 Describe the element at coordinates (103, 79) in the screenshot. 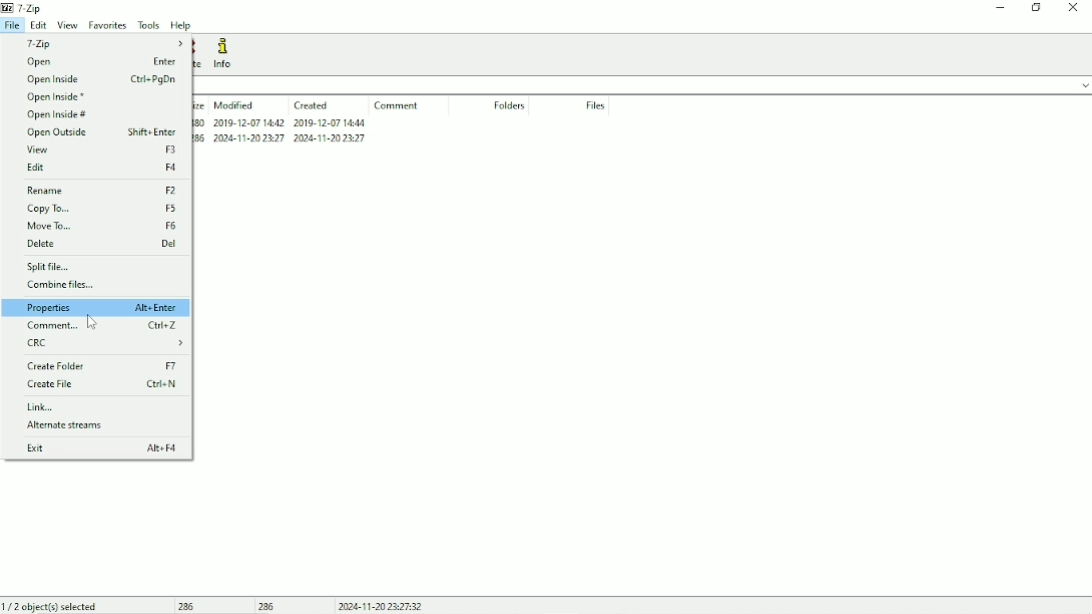

I see `Open Inside` at that location.